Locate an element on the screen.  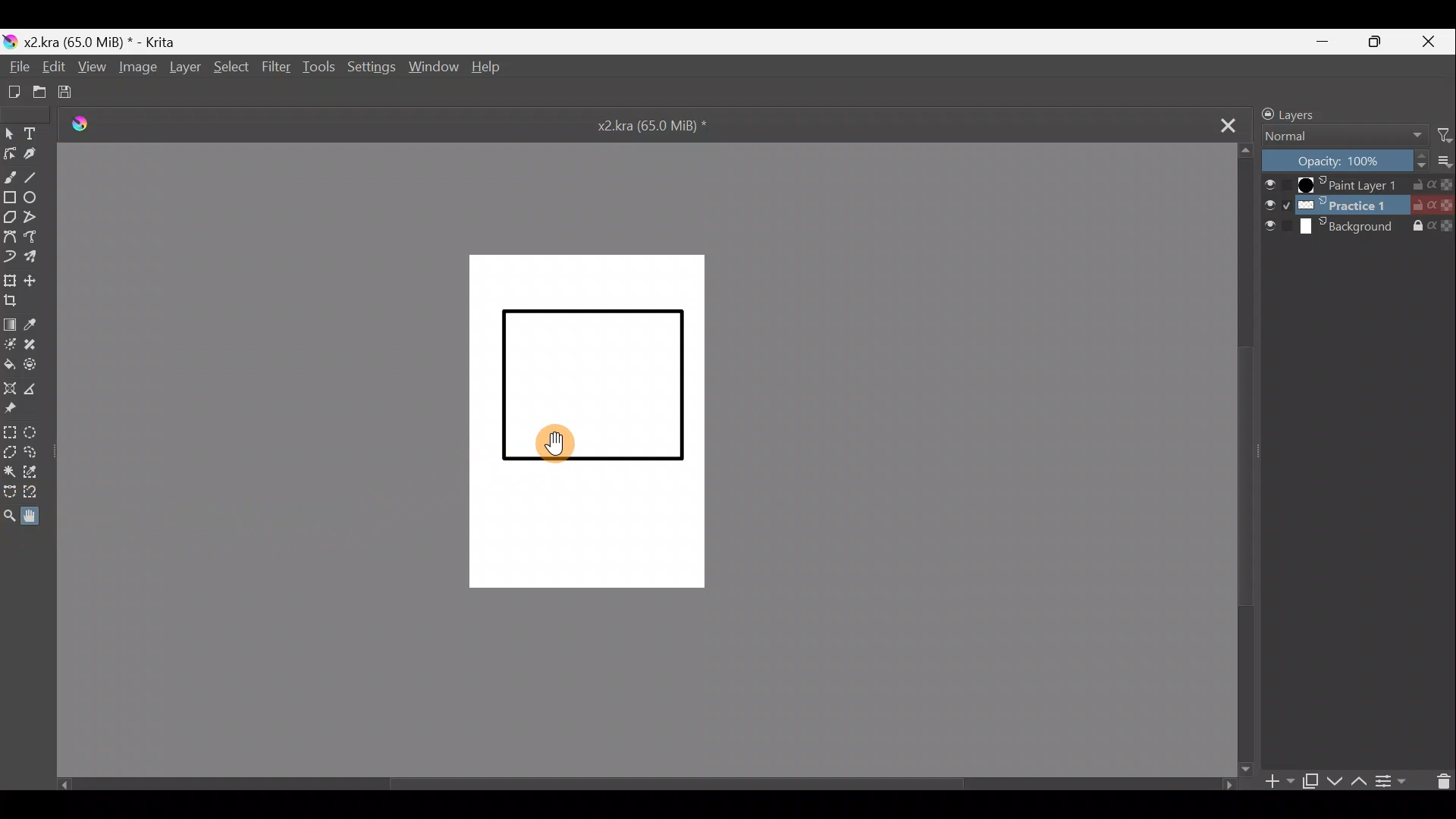
Duplicate layer is located at coordinates (1309, 780).